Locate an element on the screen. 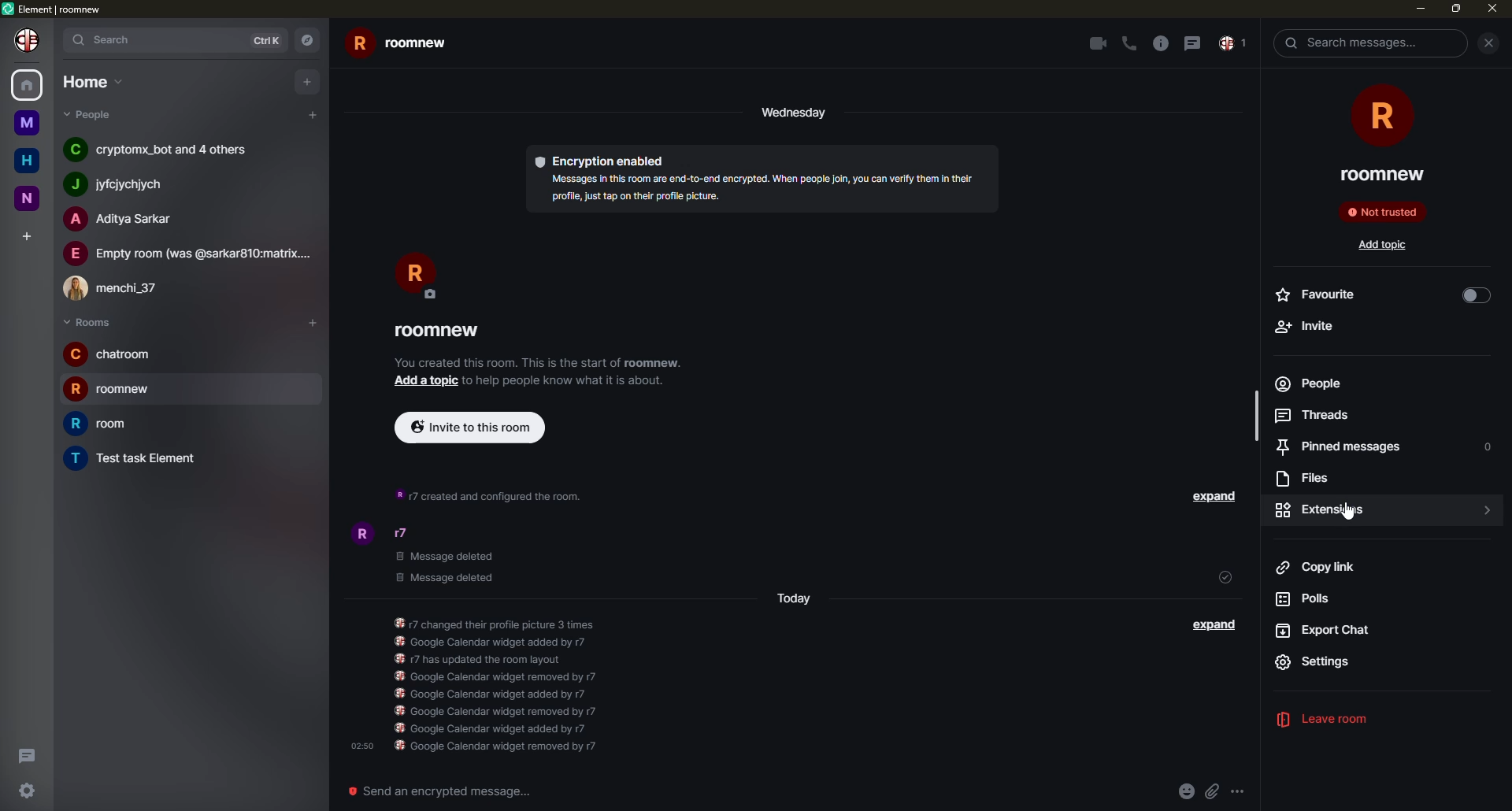  more is located at coordinates (1236, 791).